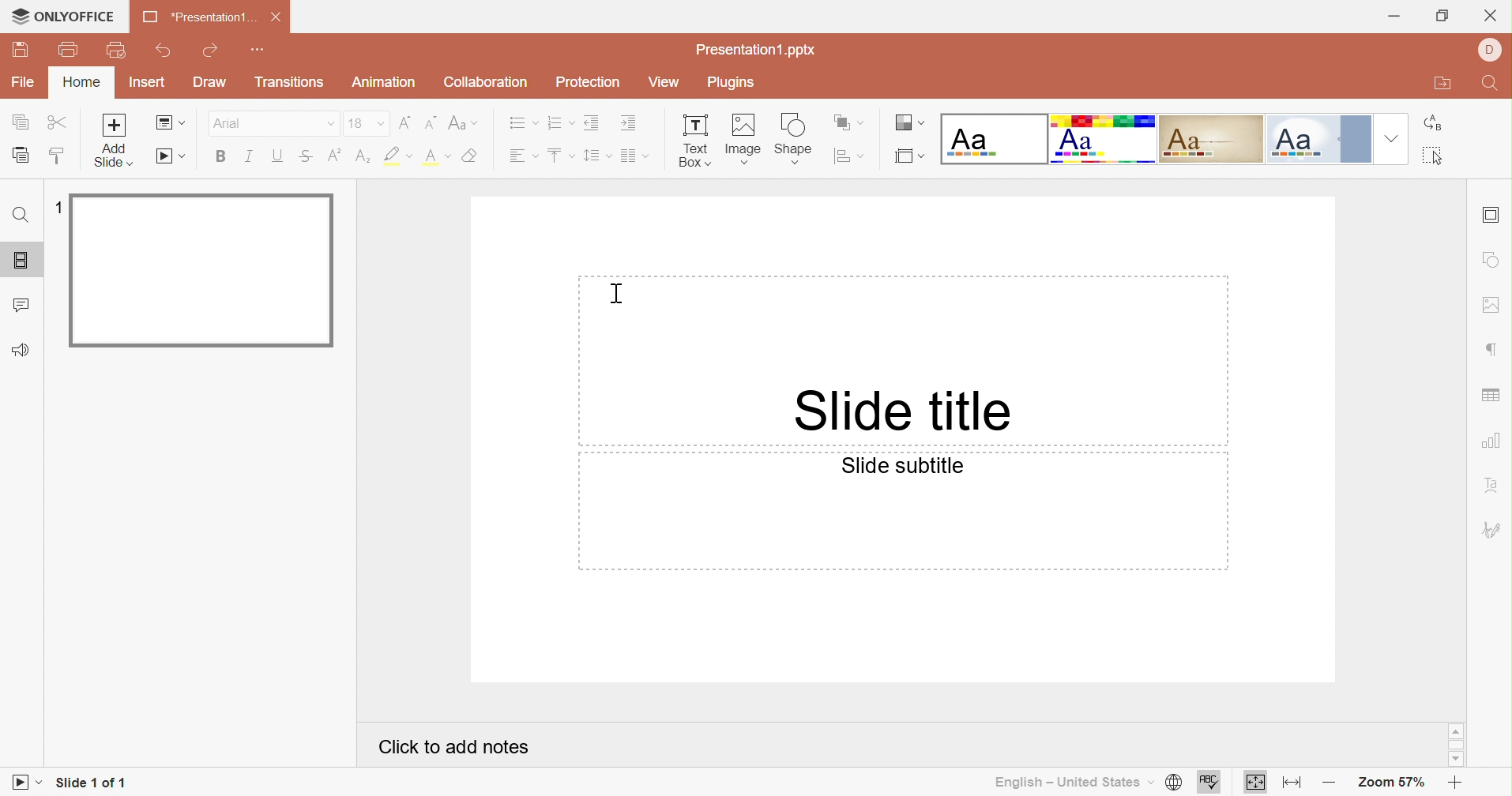 The width and height of the screenshot is (1512, 796). What do you see at coordinates (23, 262) in the screenshot?
I see `Slides` at bounding box center [23, 262].